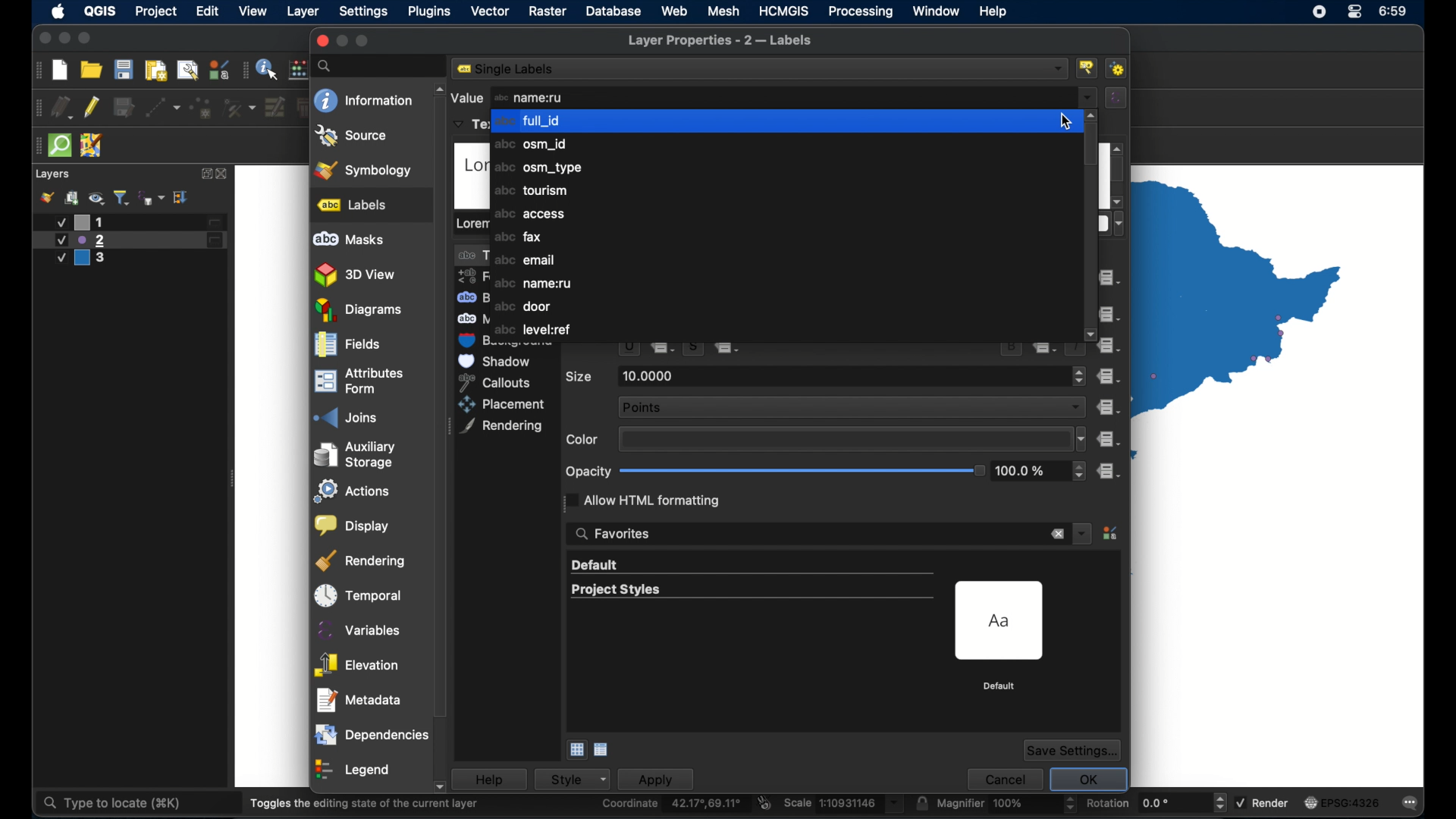  I want to click on email, so click(525, 259).